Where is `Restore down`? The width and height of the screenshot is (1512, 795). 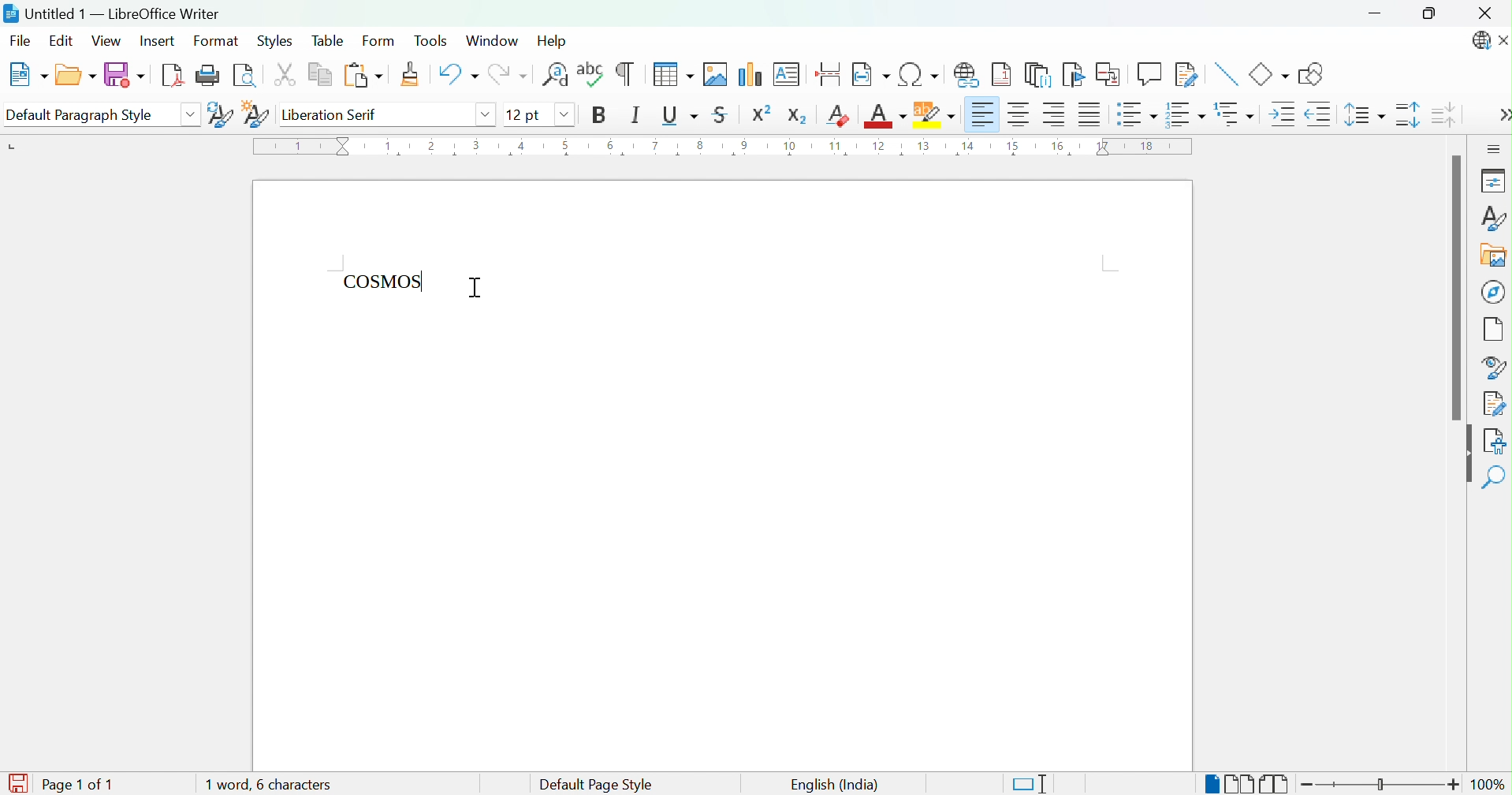 Restore down is located at coordinates (1431, 15).